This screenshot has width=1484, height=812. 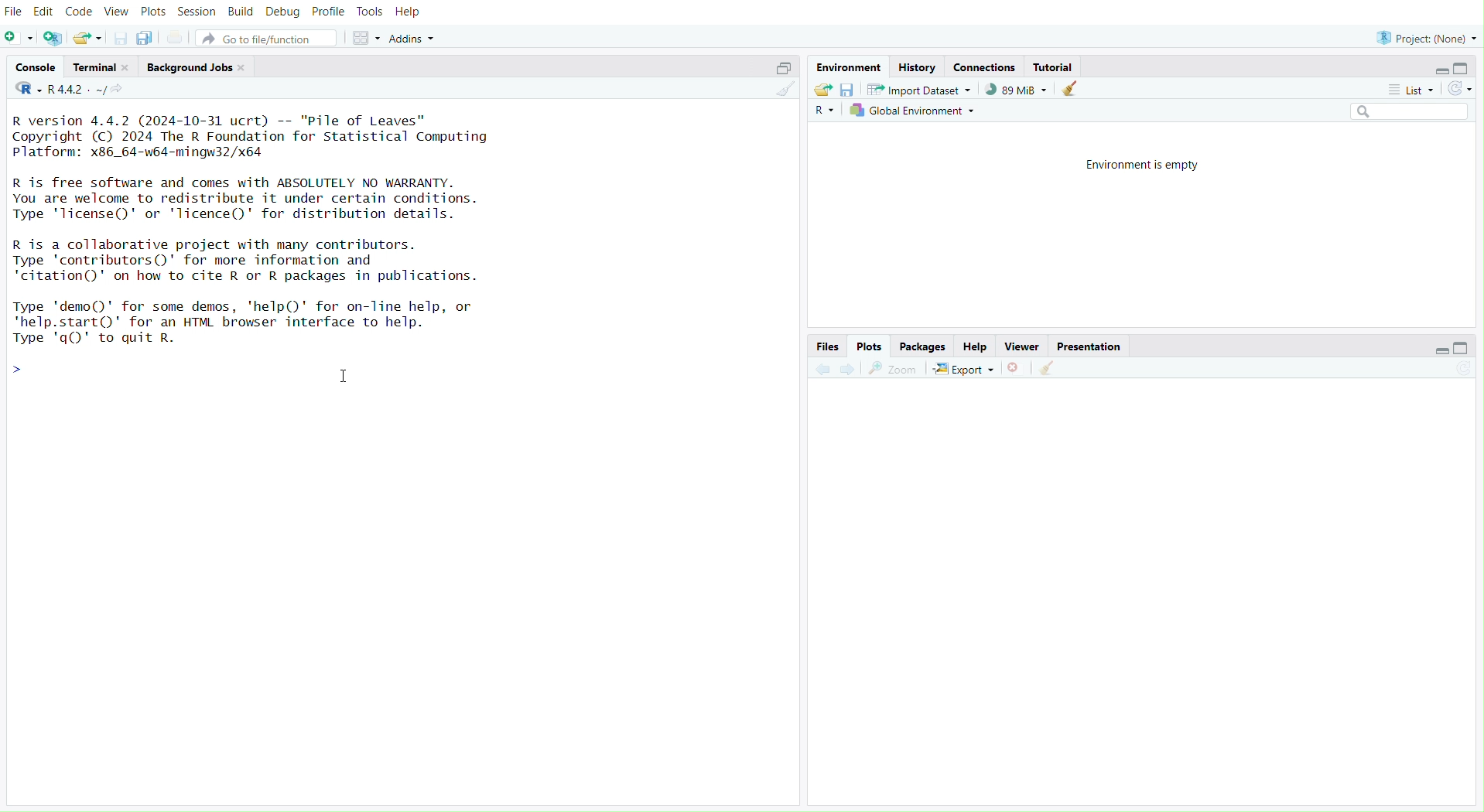 I want to click on Maximize, so click(x=1464, y=346).